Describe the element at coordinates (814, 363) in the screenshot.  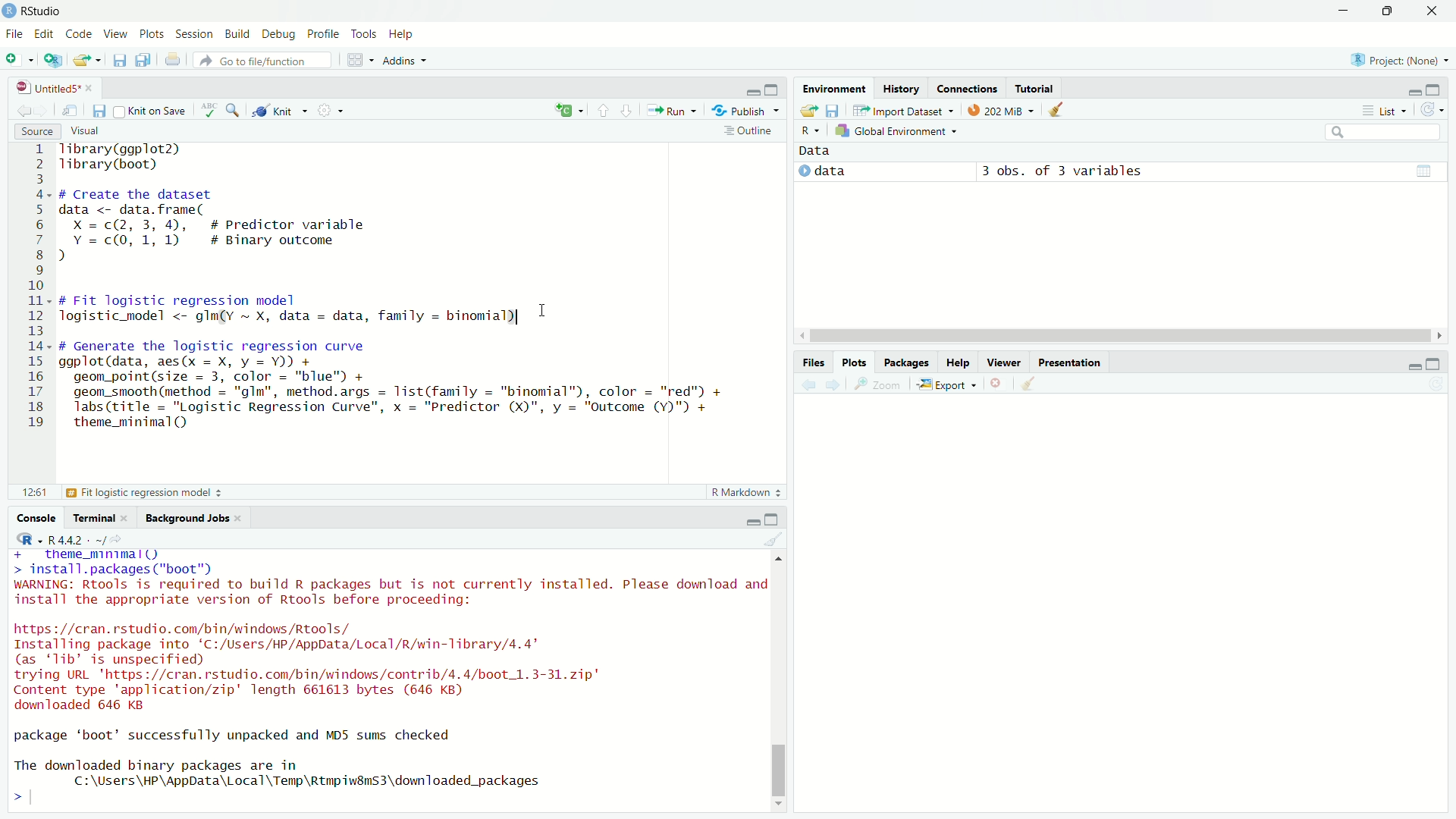
I see `Files` at that location.